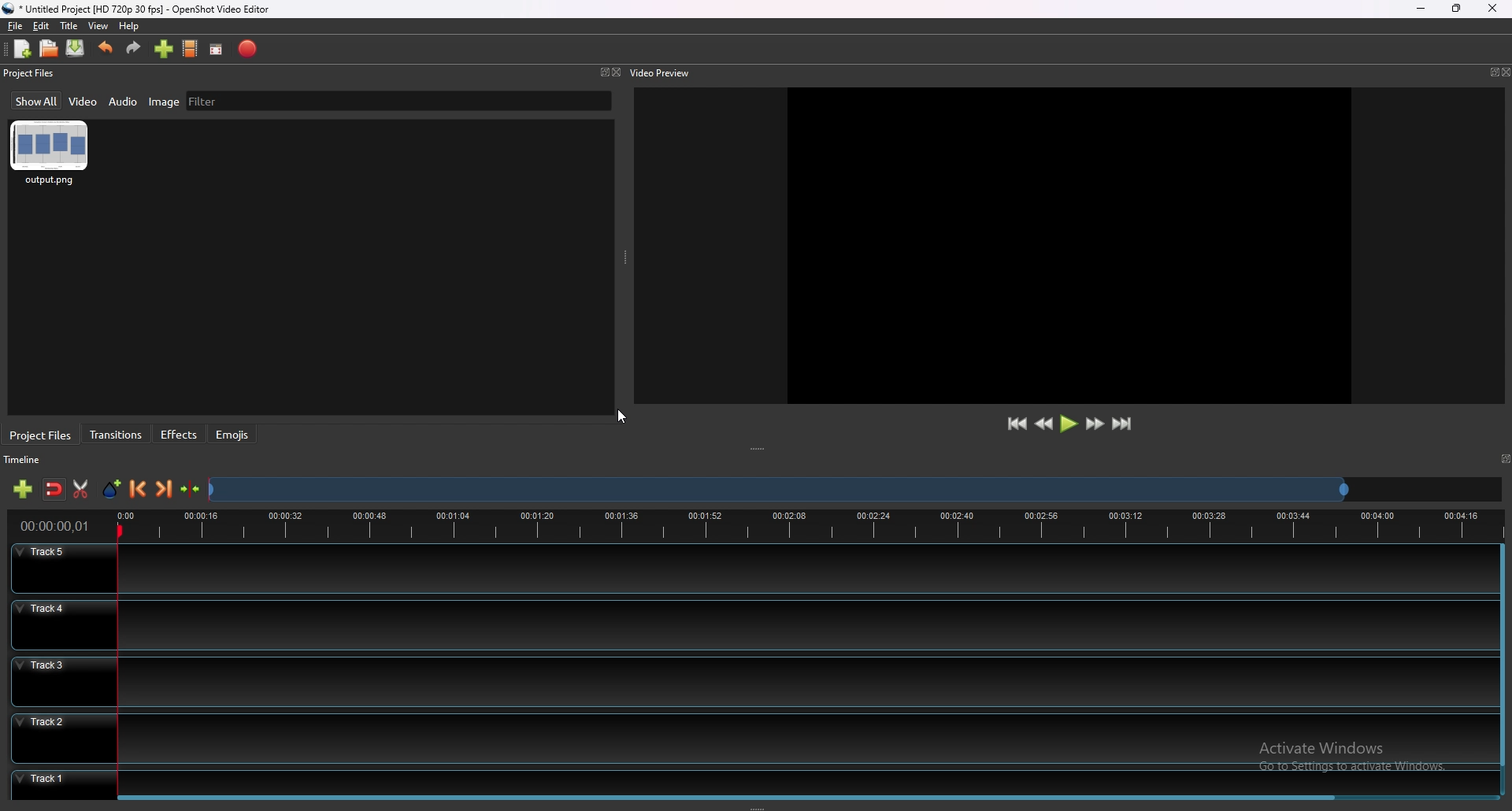 The width and height of the screenshot is (1512, 811). I want to click on title, so click(69, 26).